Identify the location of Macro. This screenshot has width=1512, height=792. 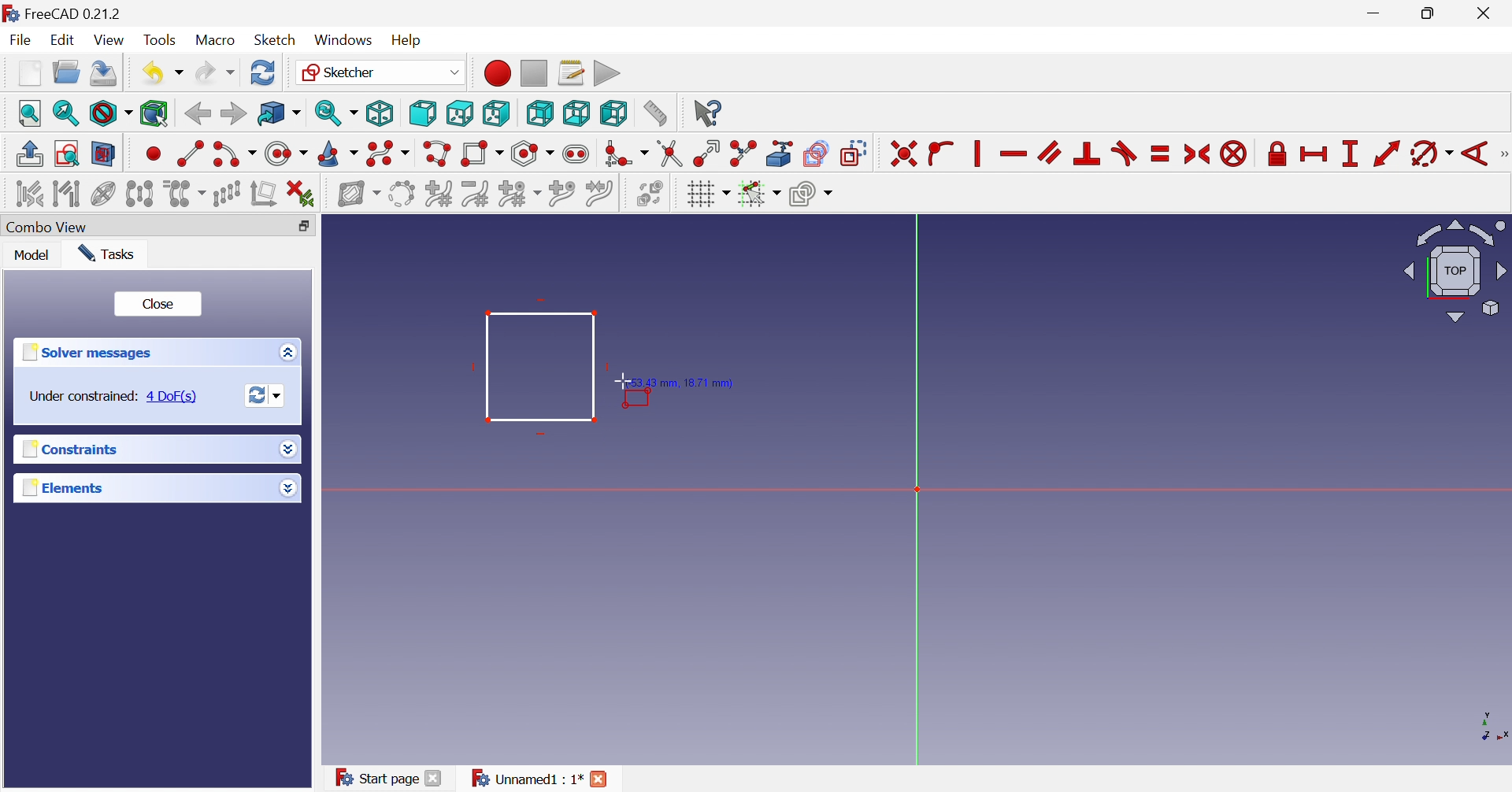
(214, 41).